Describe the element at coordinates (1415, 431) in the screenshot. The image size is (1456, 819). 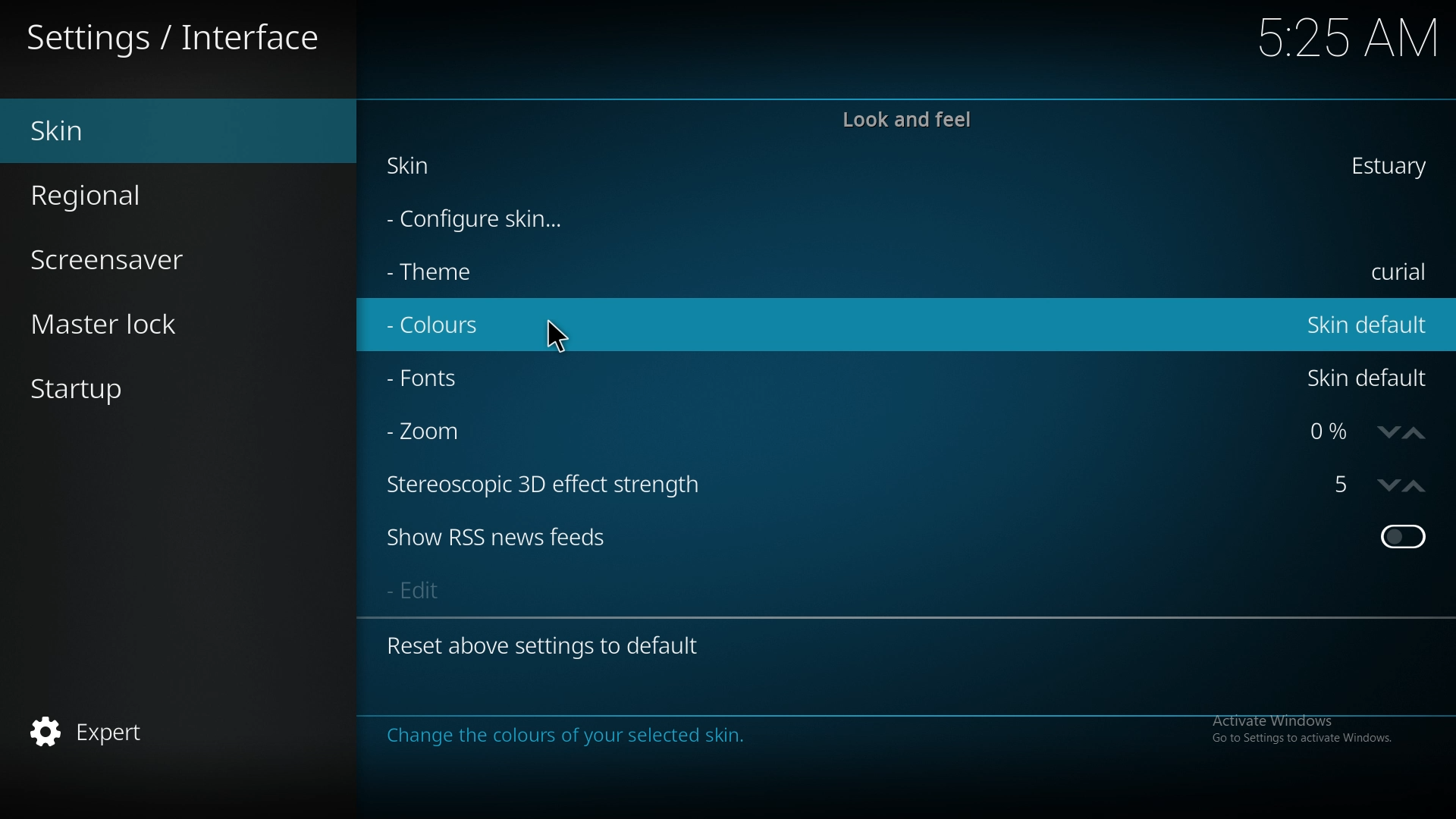
I see `increase zoom` at that location.